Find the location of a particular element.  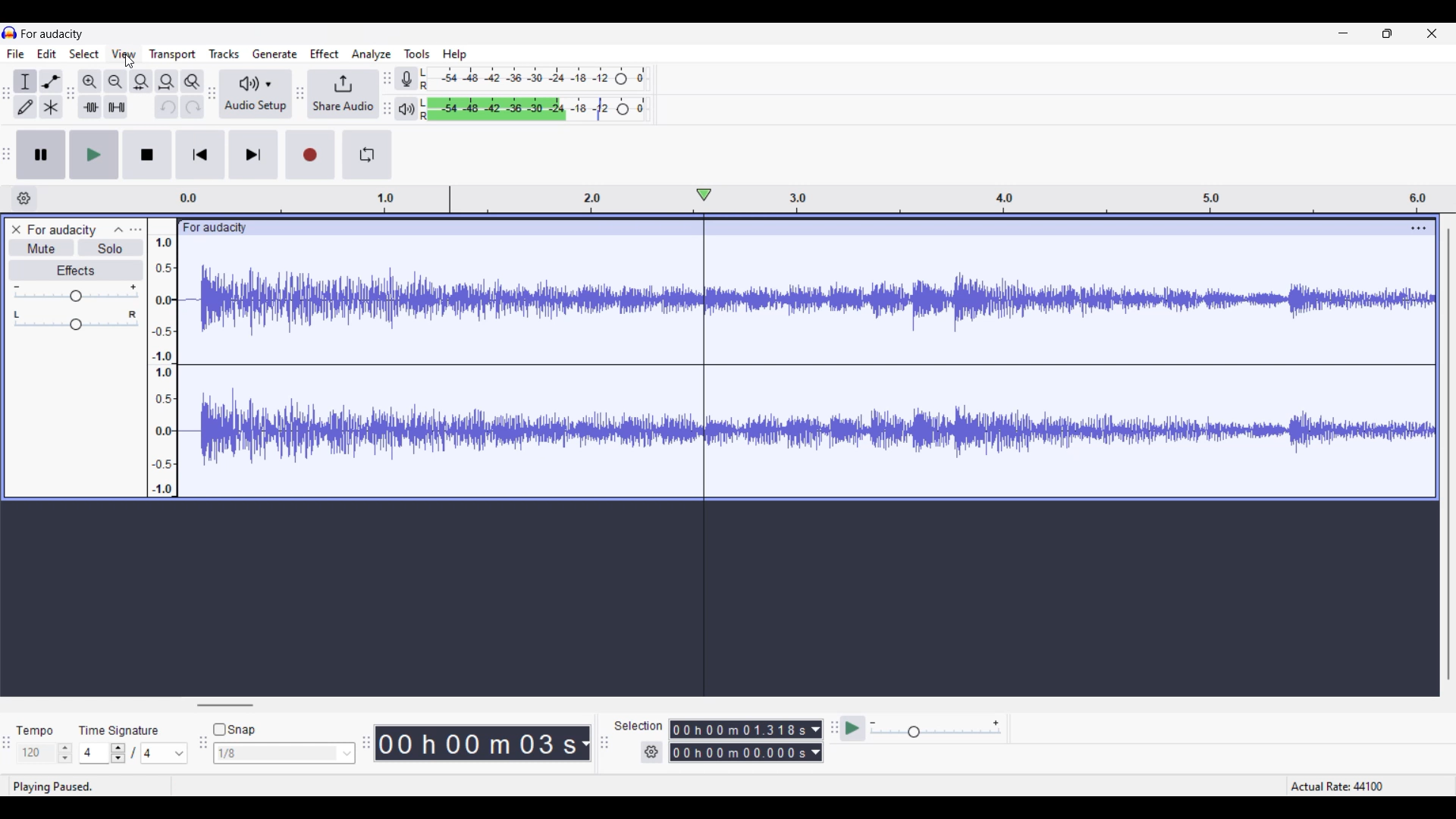

Volume scale is located at coordinates (75, 293).